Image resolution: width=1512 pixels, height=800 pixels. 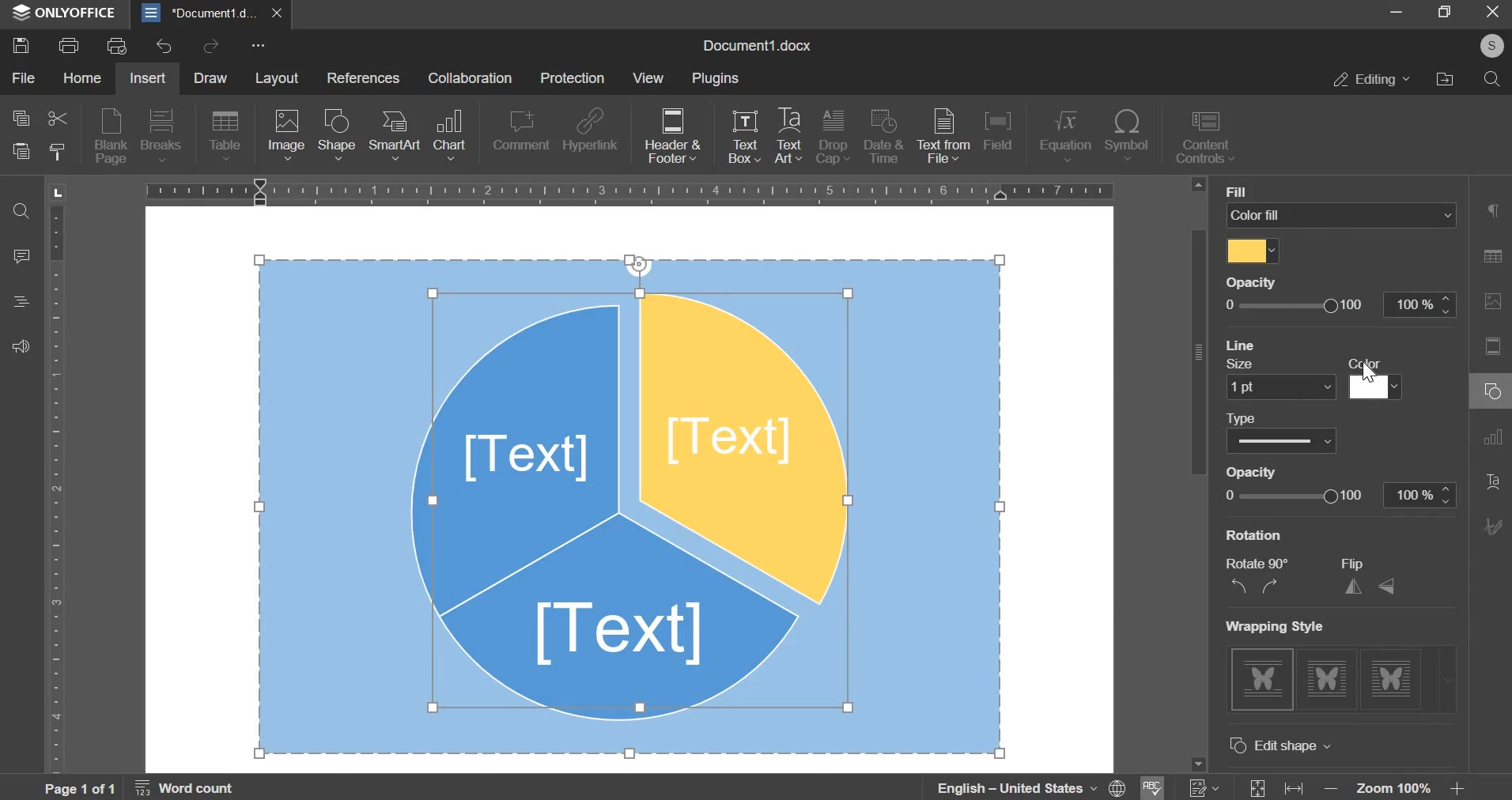 I want to click on line opacity, so click(x=1338, y=494).